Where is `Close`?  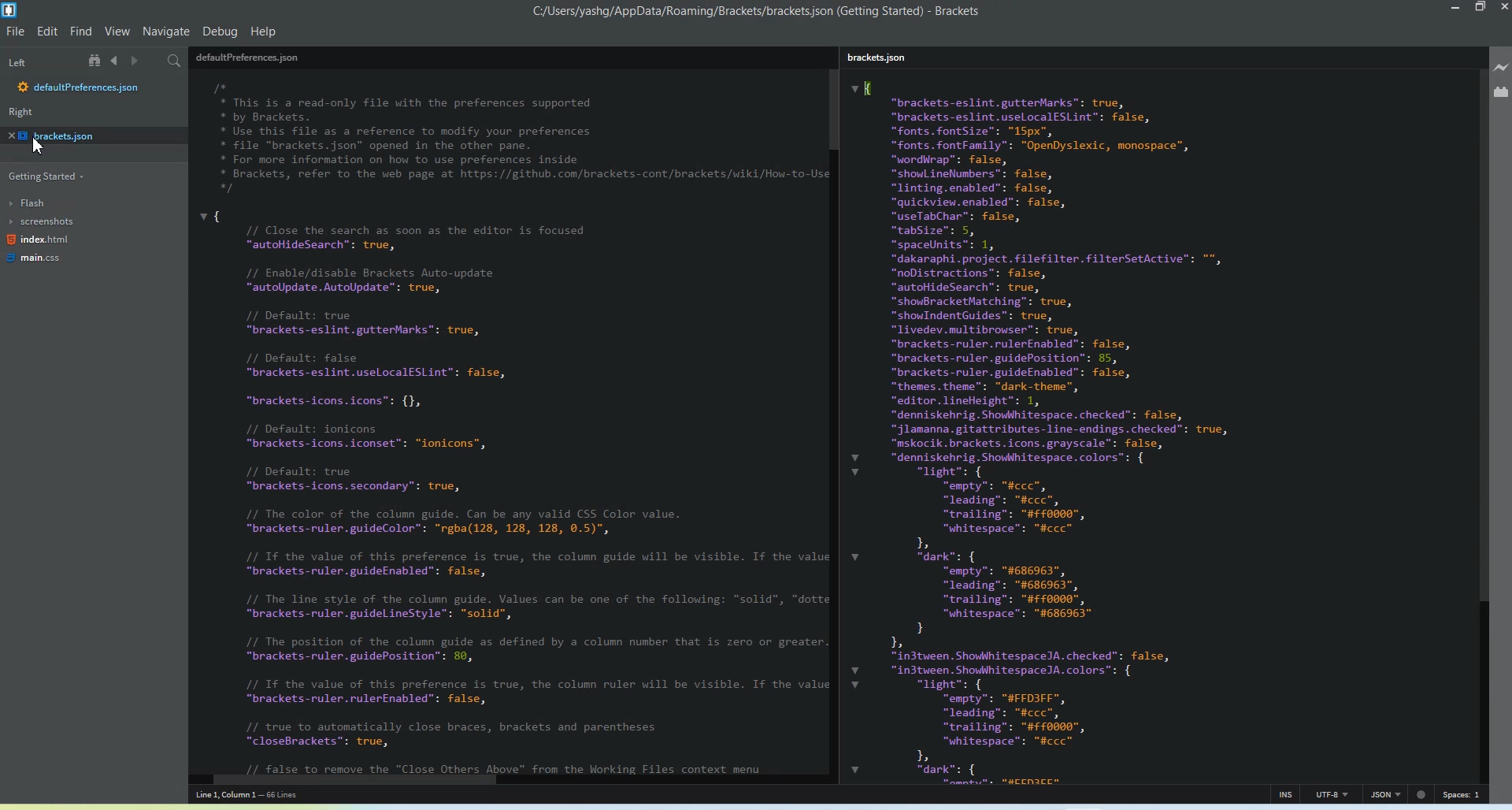
Close is located at coordinates (1503, 9).